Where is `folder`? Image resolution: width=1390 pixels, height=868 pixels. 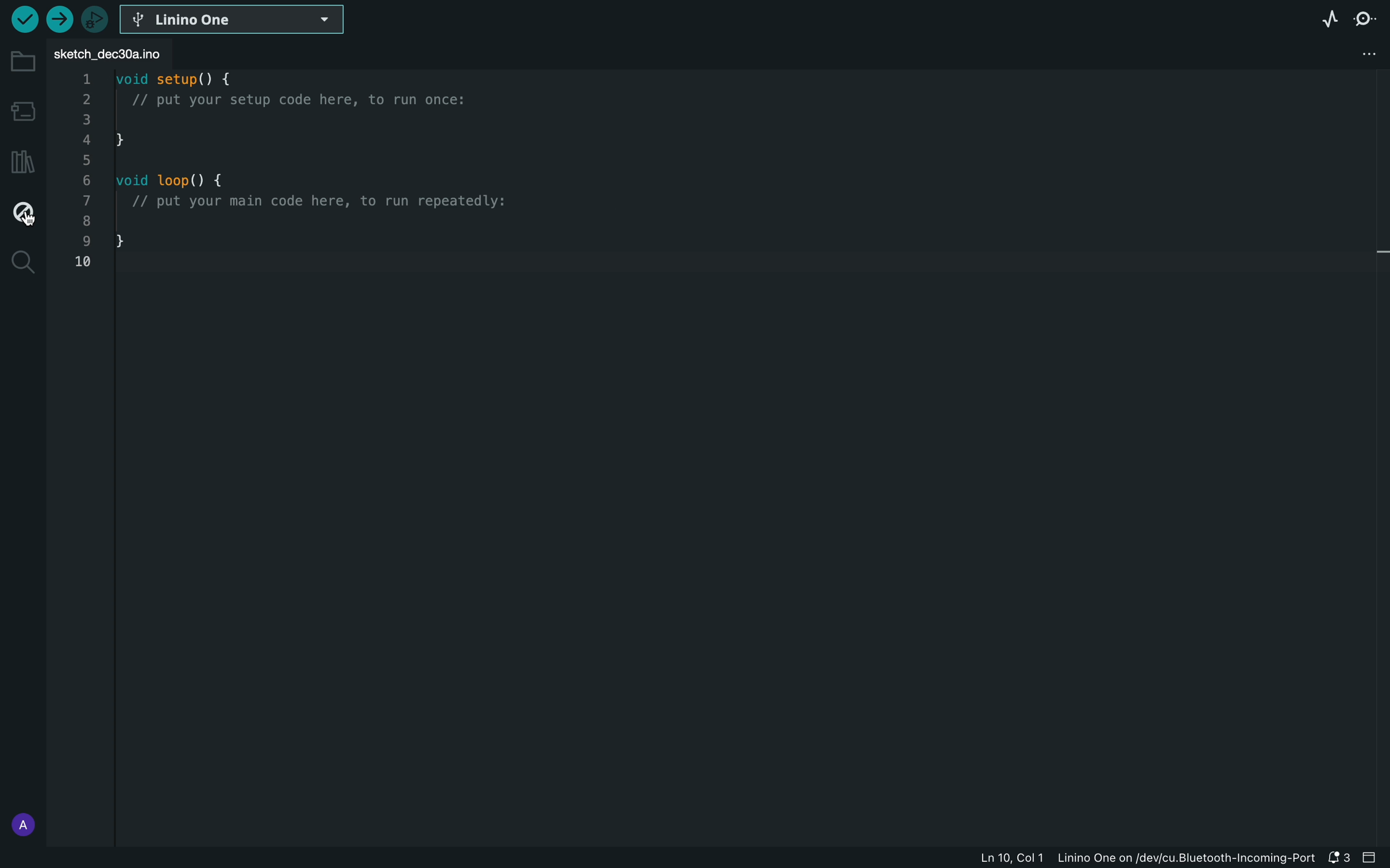 folder is located at coordinates (20, 62).